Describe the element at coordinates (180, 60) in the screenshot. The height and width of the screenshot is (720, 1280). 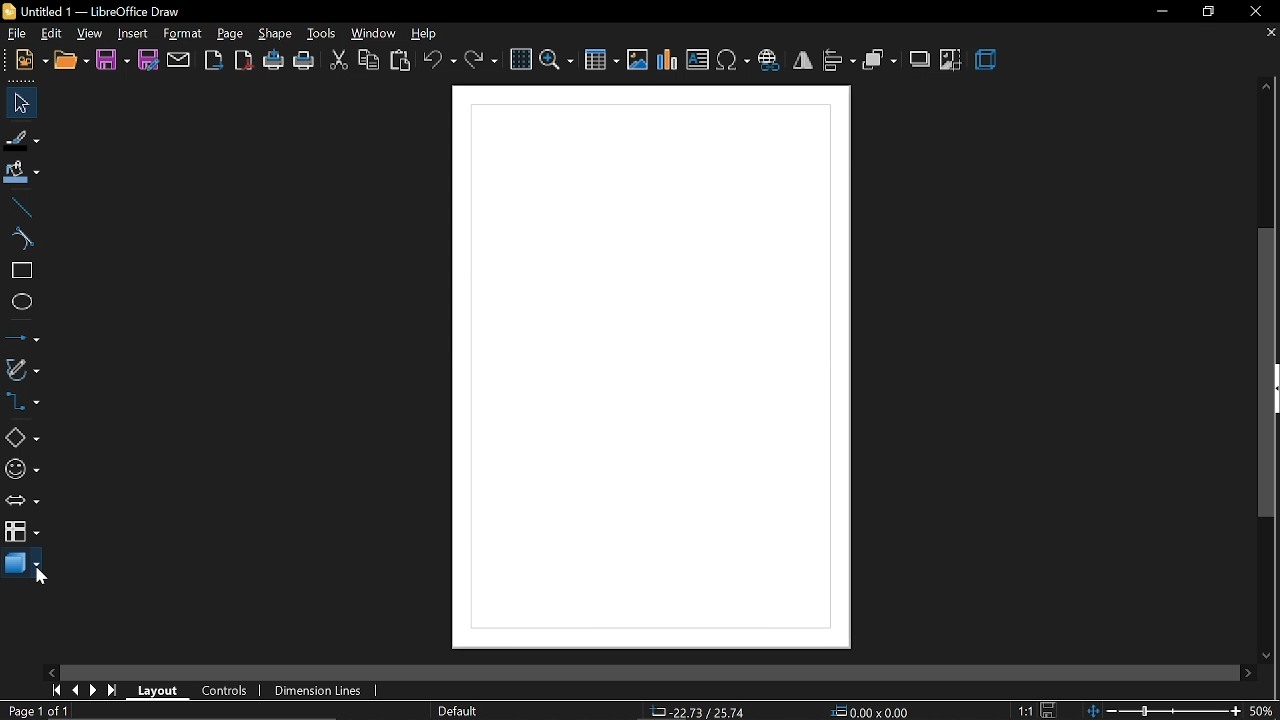
I see `attach` at that location.